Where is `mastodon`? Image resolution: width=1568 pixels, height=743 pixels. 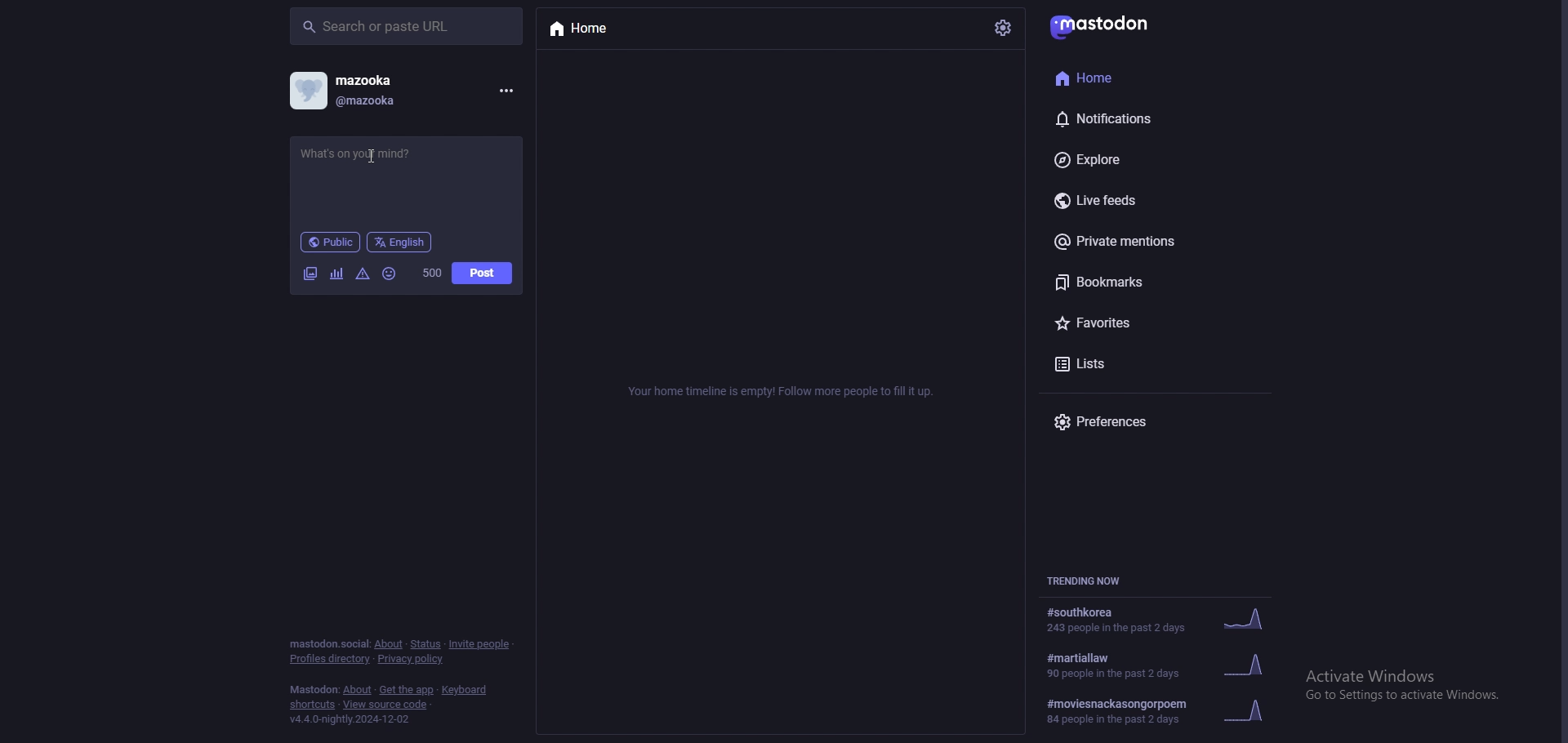 mastodon is located at coordinates (1099, 28).